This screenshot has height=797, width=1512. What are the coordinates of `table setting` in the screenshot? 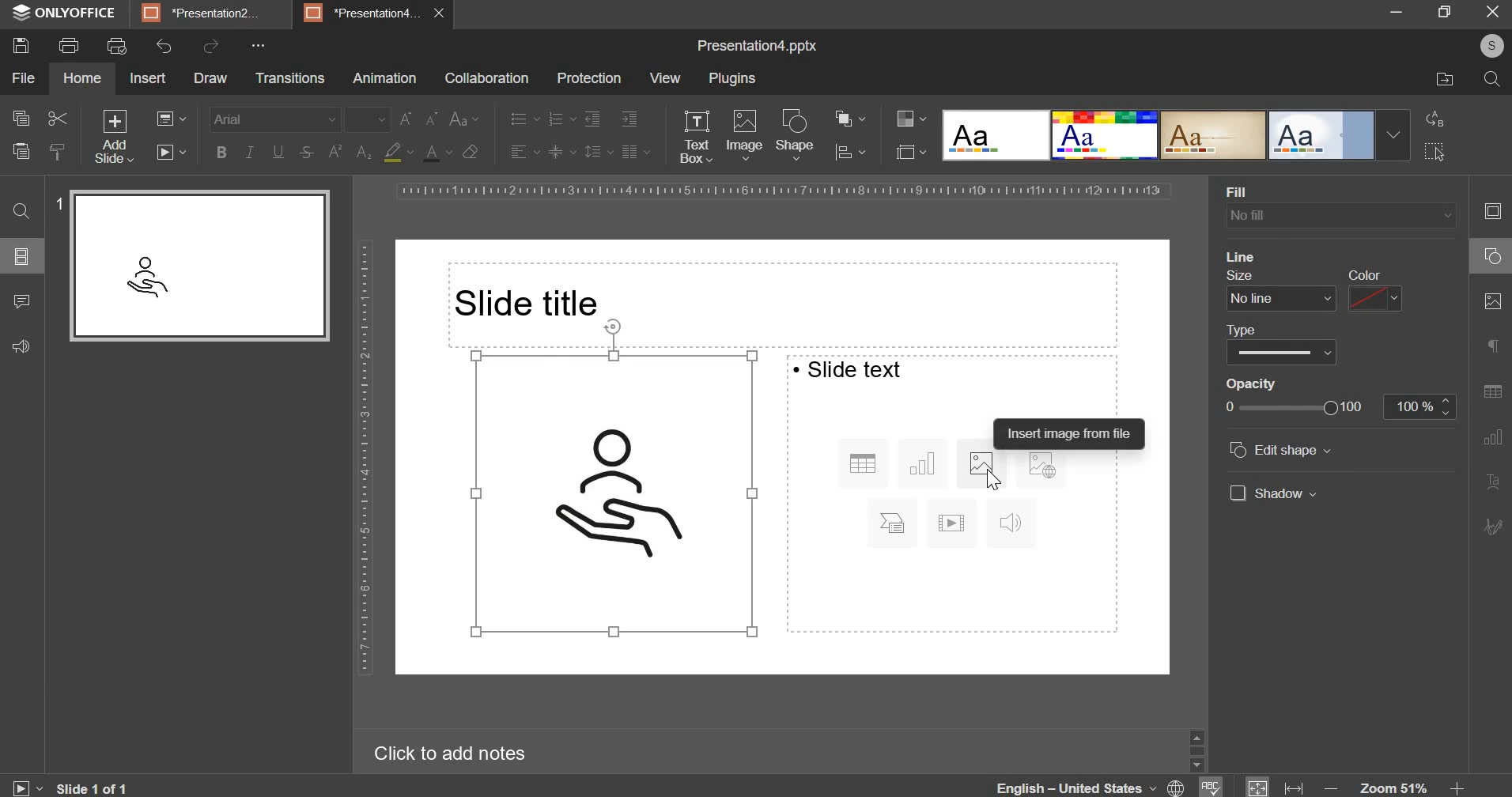 It's located at (1491, 387).